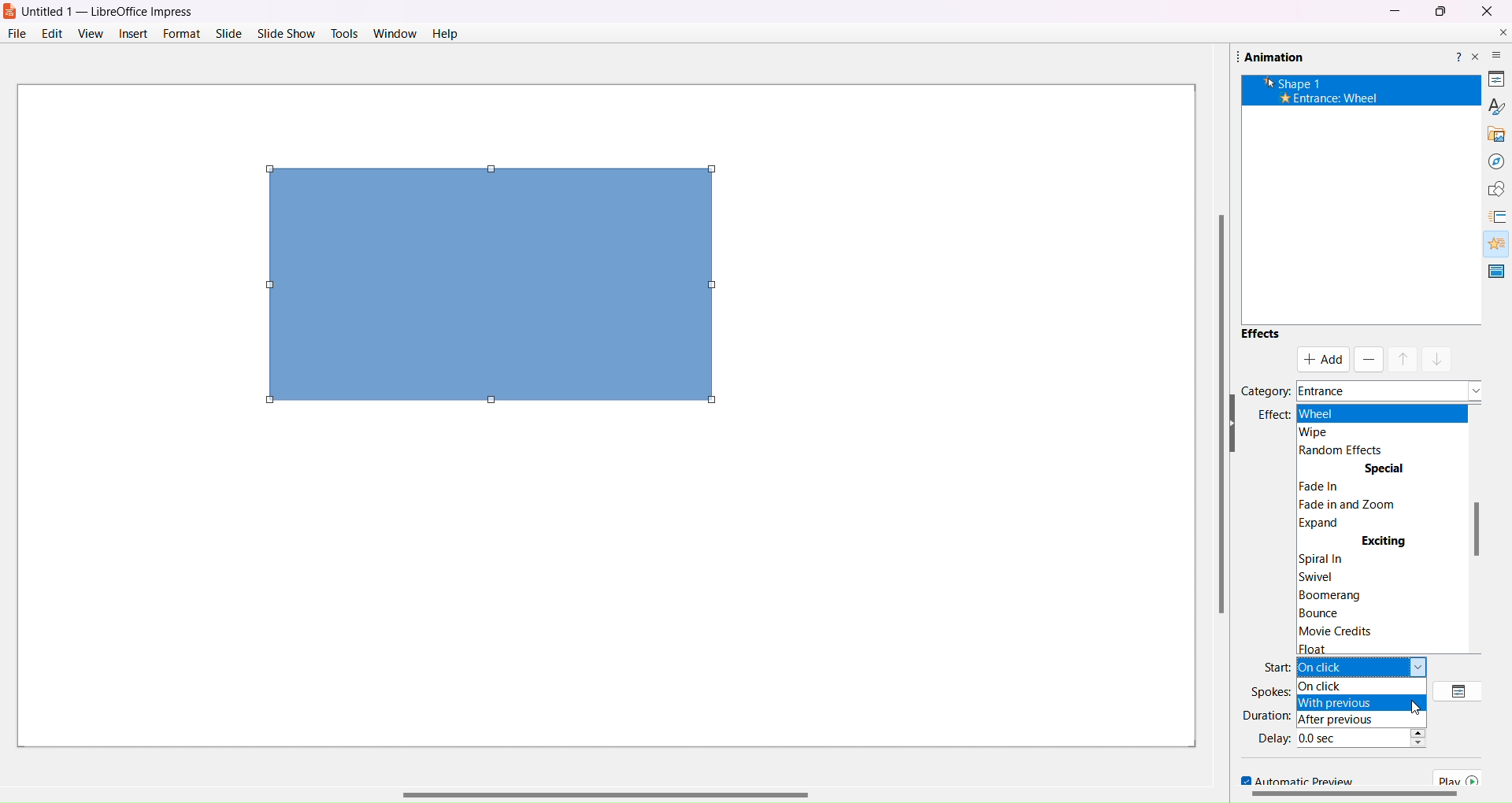 The width and height of the screenshot is (1512, 803). Describe the element at coordinates (1490, 161) in the screenshot. I see `Navigator` at that location.